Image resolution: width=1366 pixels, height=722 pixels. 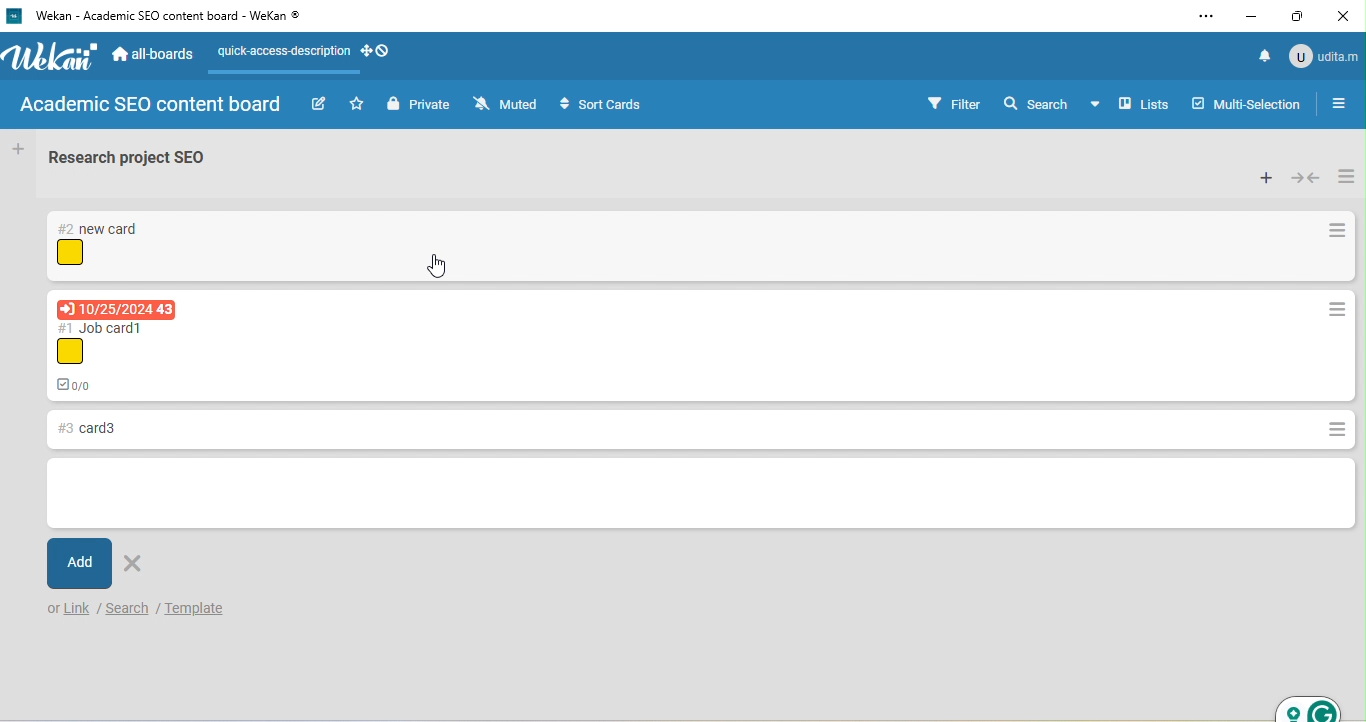 What do you see at coordinates (17, 149) in the screenshot?
I see `add list` at bounding box center [17, 149].